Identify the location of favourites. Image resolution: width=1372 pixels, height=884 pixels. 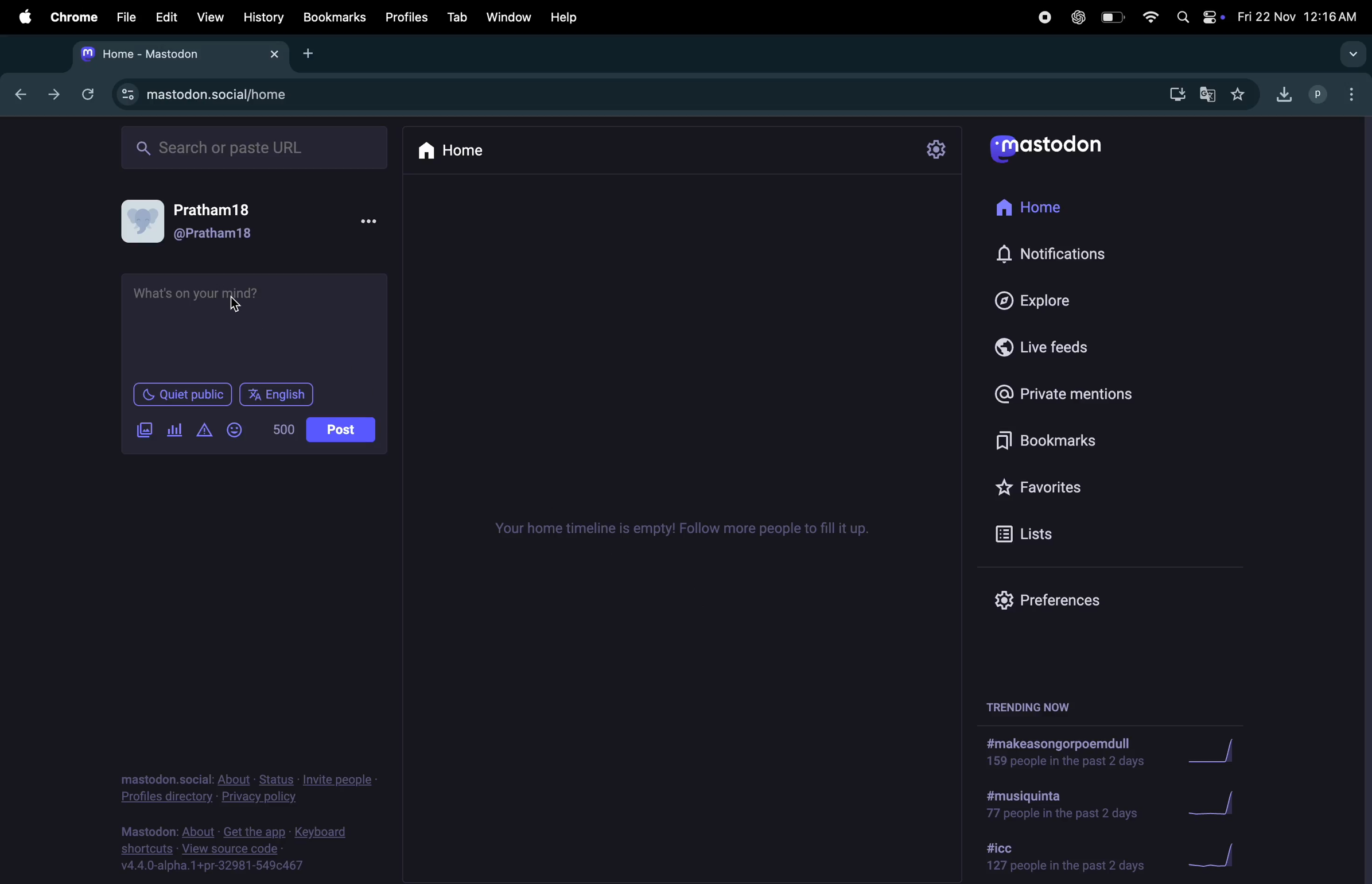
(1239, 96).